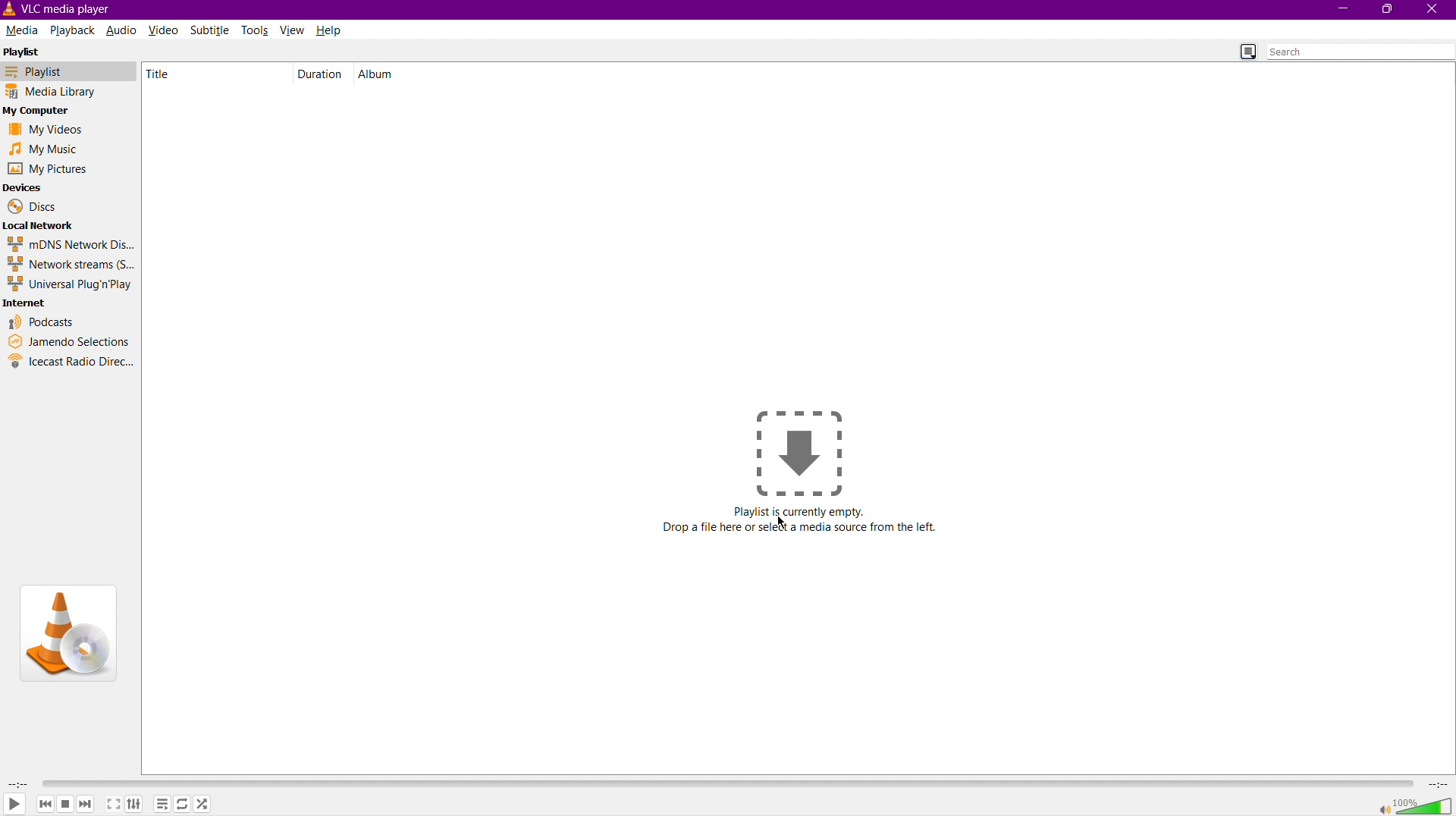 Image resolution: width=1456 pixels, height=816 pixels. Describe the element at coordinates (165, 74) in the screenshot. I see `Title` at that location.